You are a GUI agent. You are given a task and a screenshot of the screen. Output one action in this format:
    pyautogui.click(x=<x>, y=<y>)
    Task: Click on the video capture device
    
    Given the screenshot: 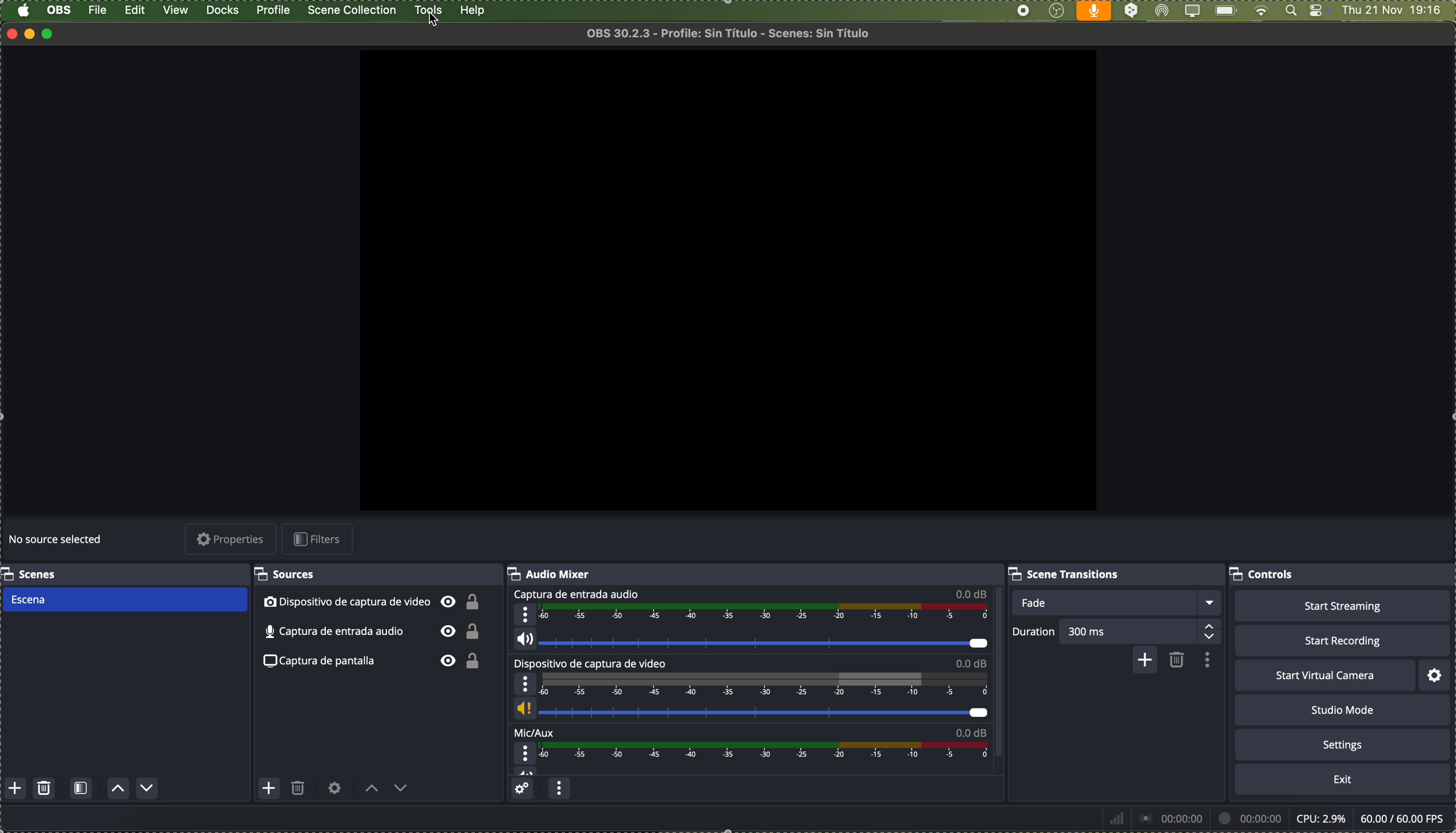 What is the action you would take?
    pyautogui.click(x=373, y=603)
    